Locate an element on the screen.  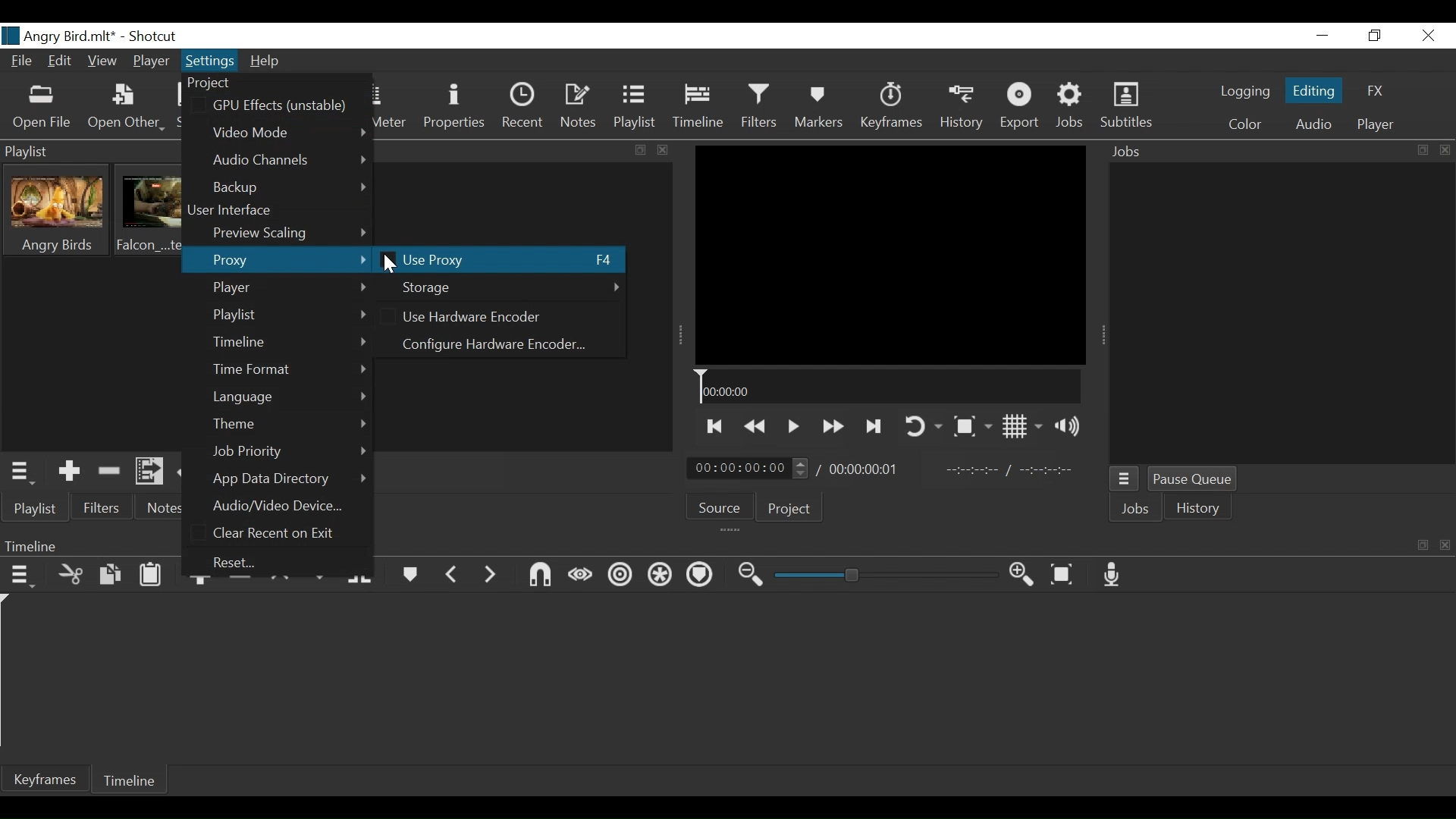
Toggle play or pause (space) is located at coordinates (794, 427).